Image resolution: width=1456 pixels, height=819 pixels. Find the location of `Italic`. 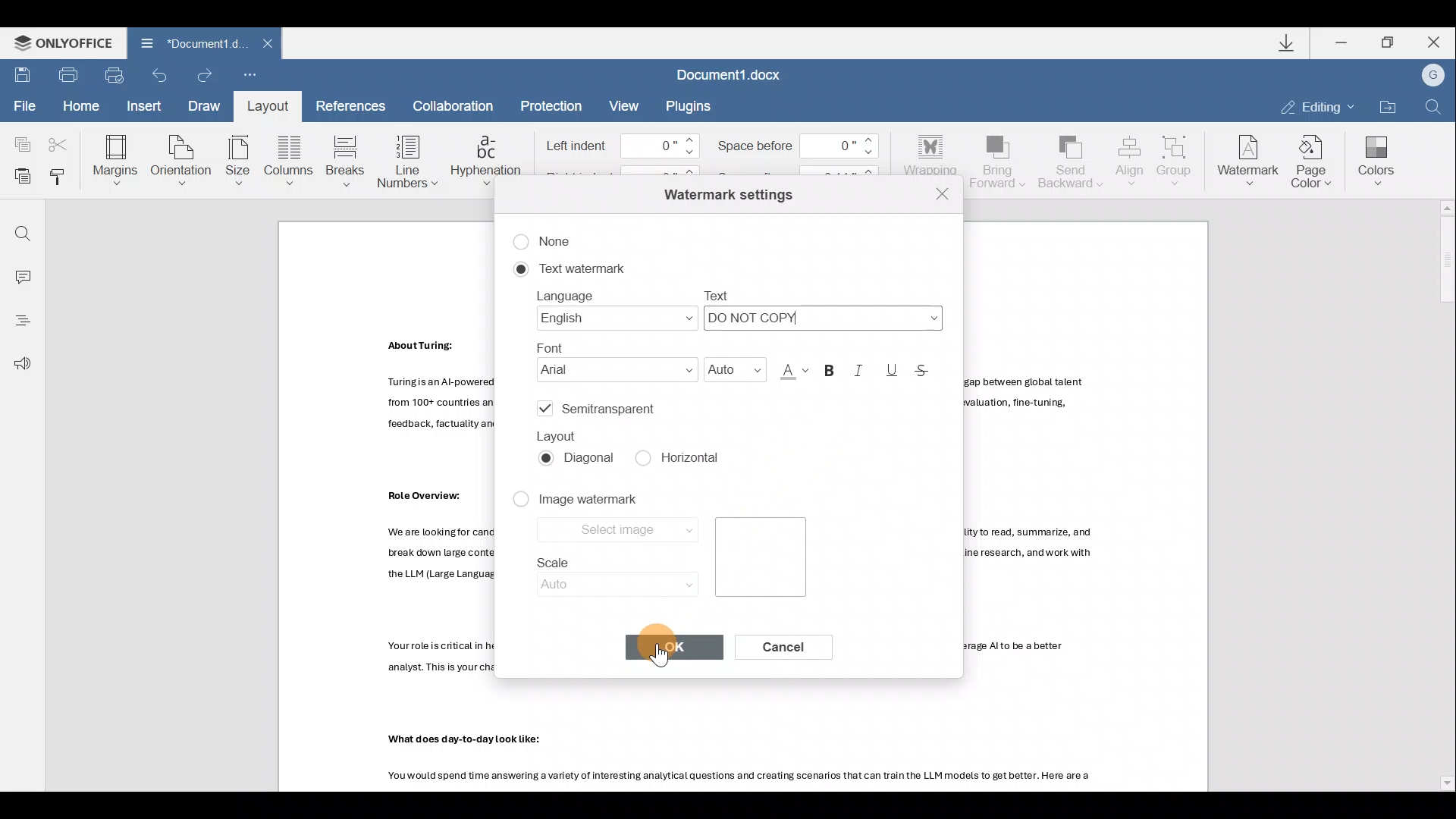

Italic is located at coordinates (864, 369).